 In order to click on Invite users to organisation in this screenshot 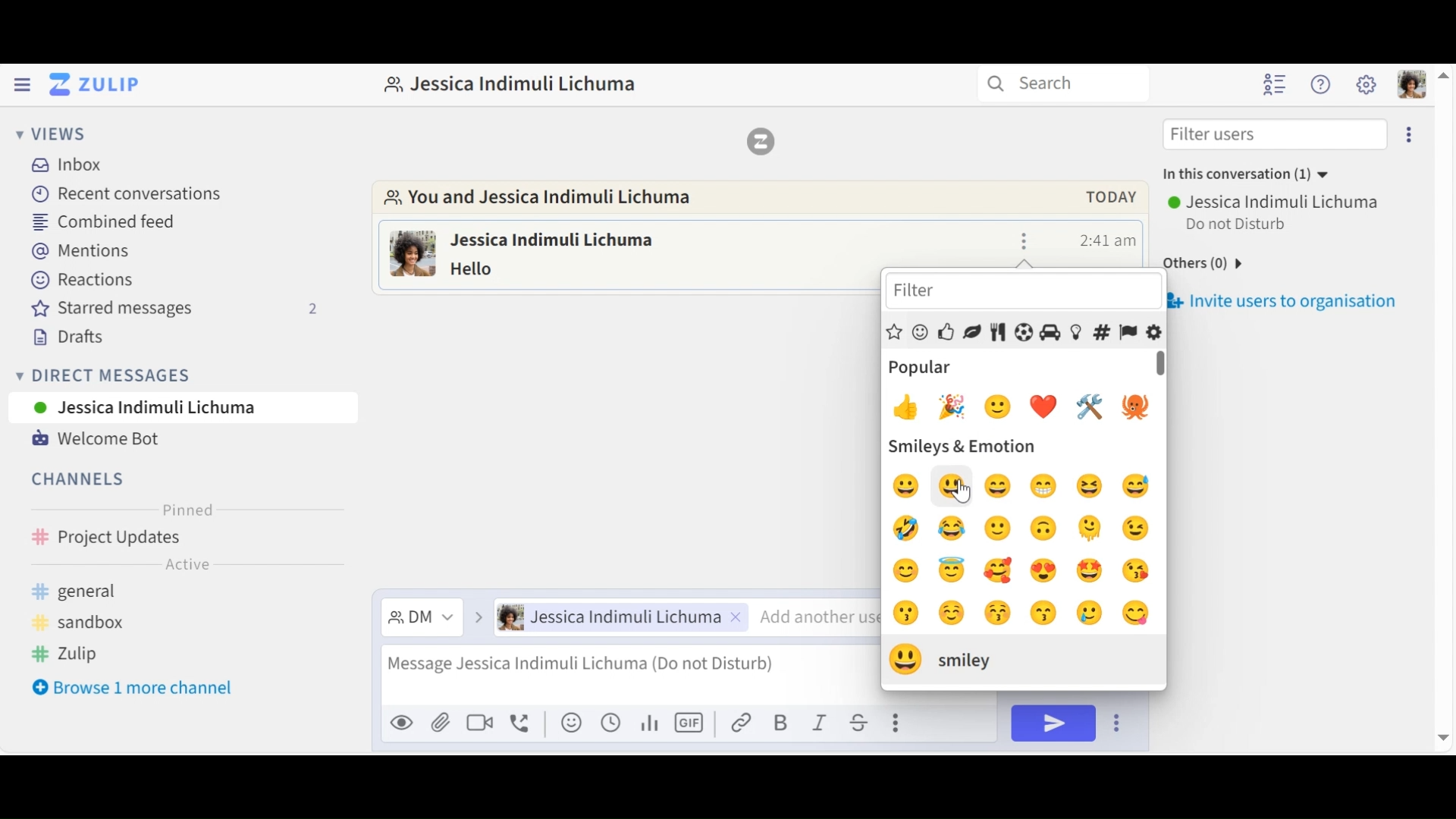, I will do `click(1412, 132)`.